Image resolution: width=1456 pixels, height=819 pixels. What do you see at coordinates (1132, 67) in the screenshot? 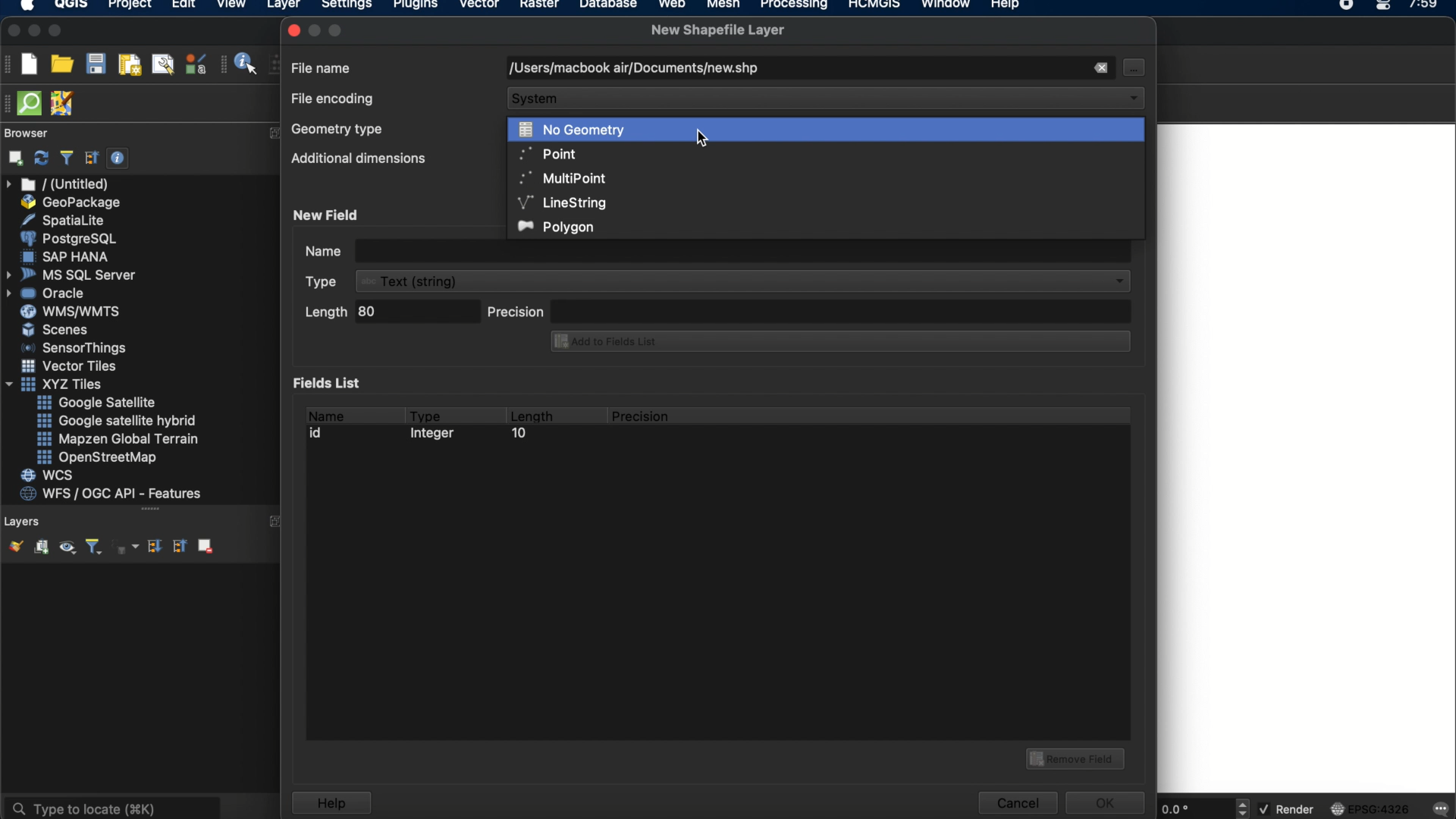
I see `cursor` at bounding box center [1132, 67].